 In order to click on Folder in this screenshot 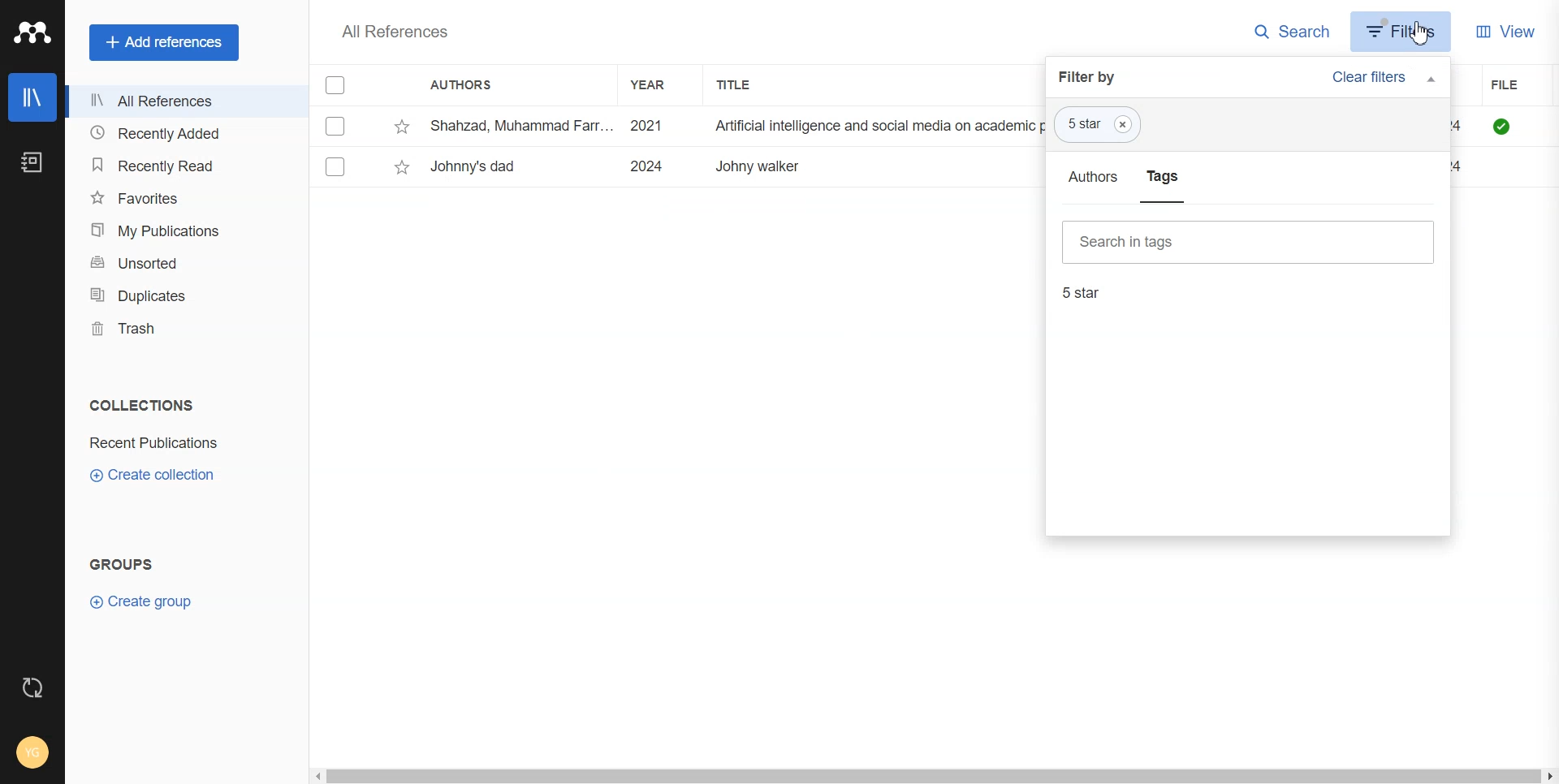, I will do `click(157, 443)`.